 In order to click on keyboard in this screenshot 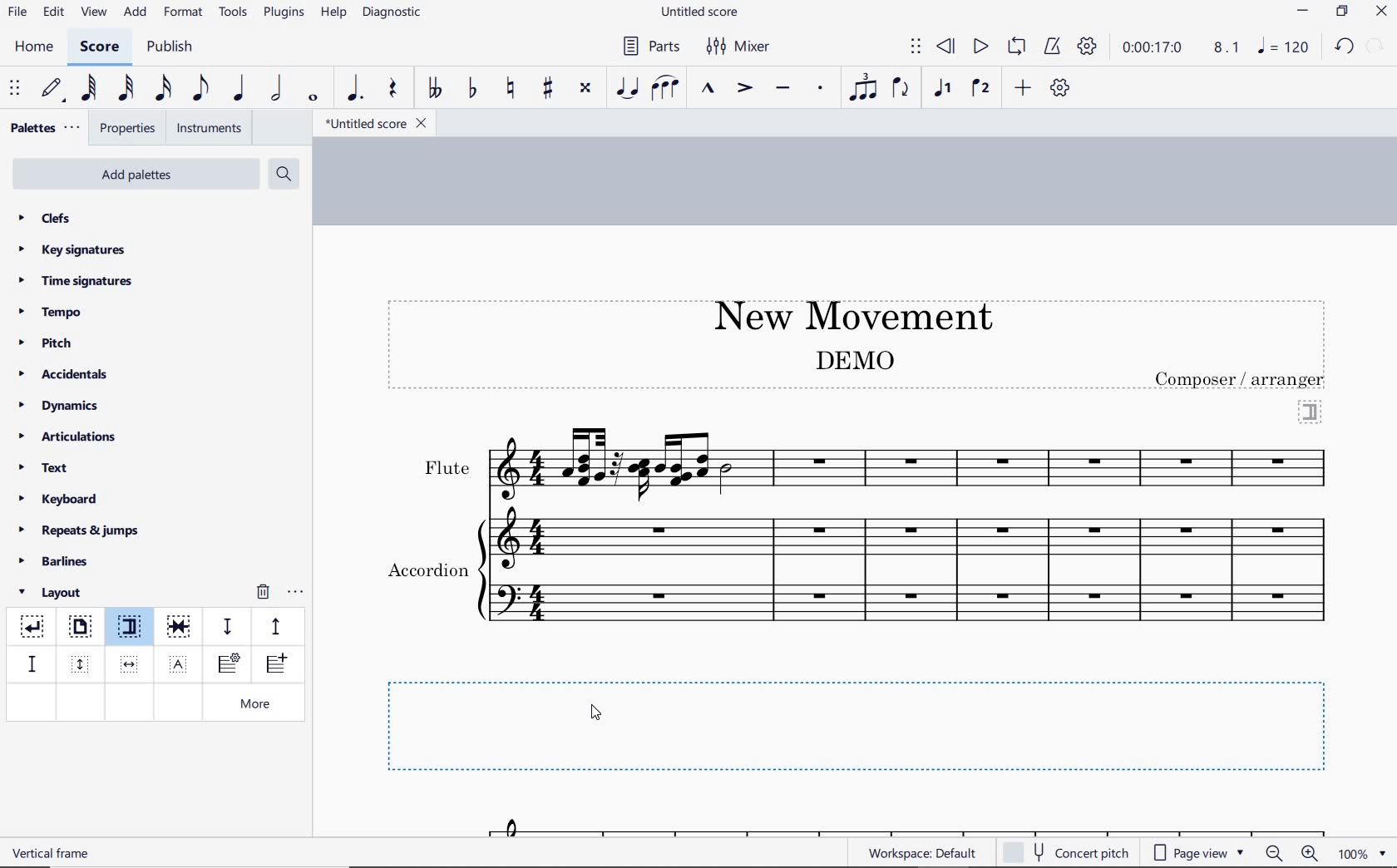, I will do `click(59, 499)`.